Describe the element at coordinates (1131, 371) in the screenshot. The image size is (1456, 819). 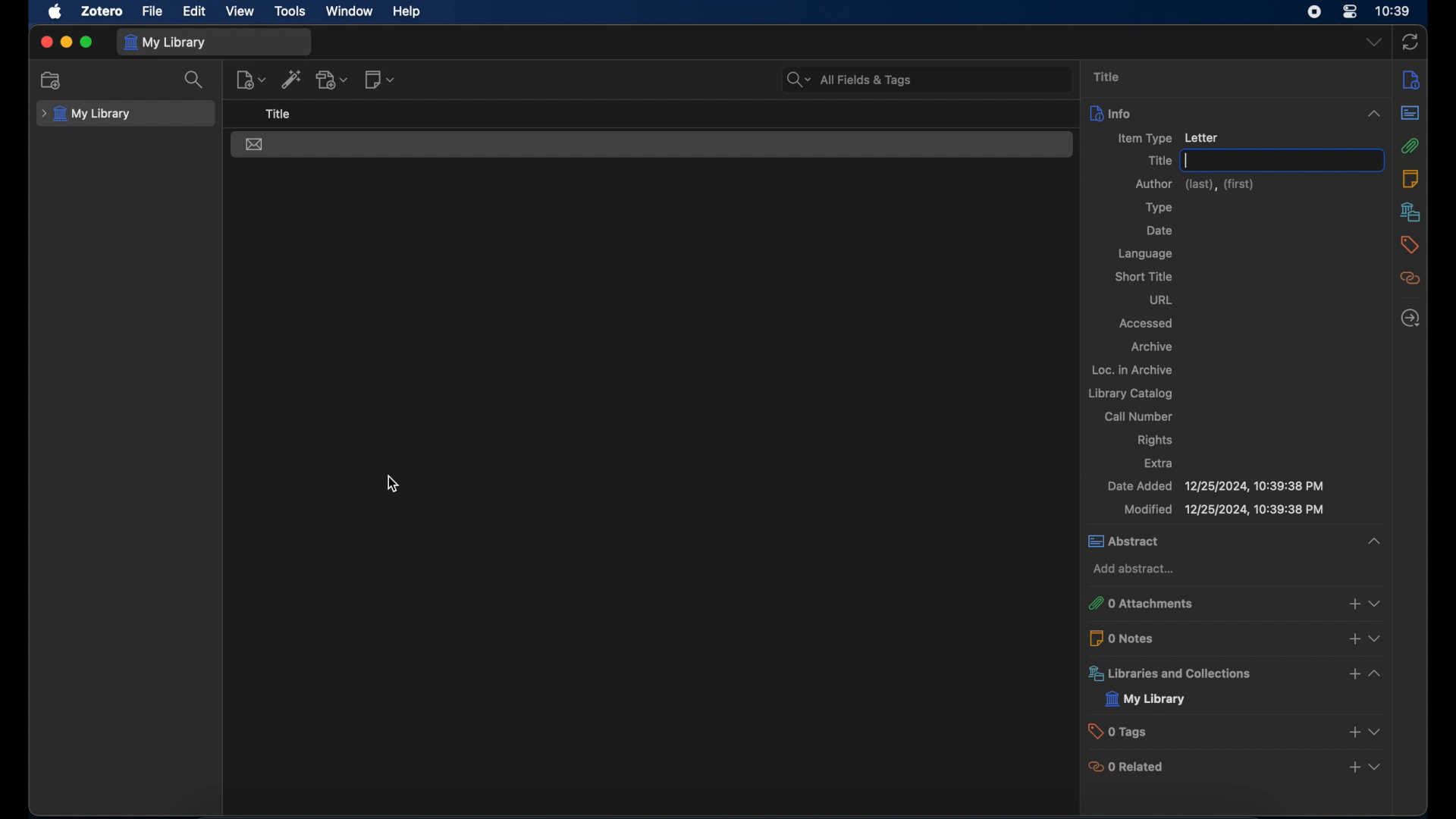
I see `Loc. in archive` at that location.